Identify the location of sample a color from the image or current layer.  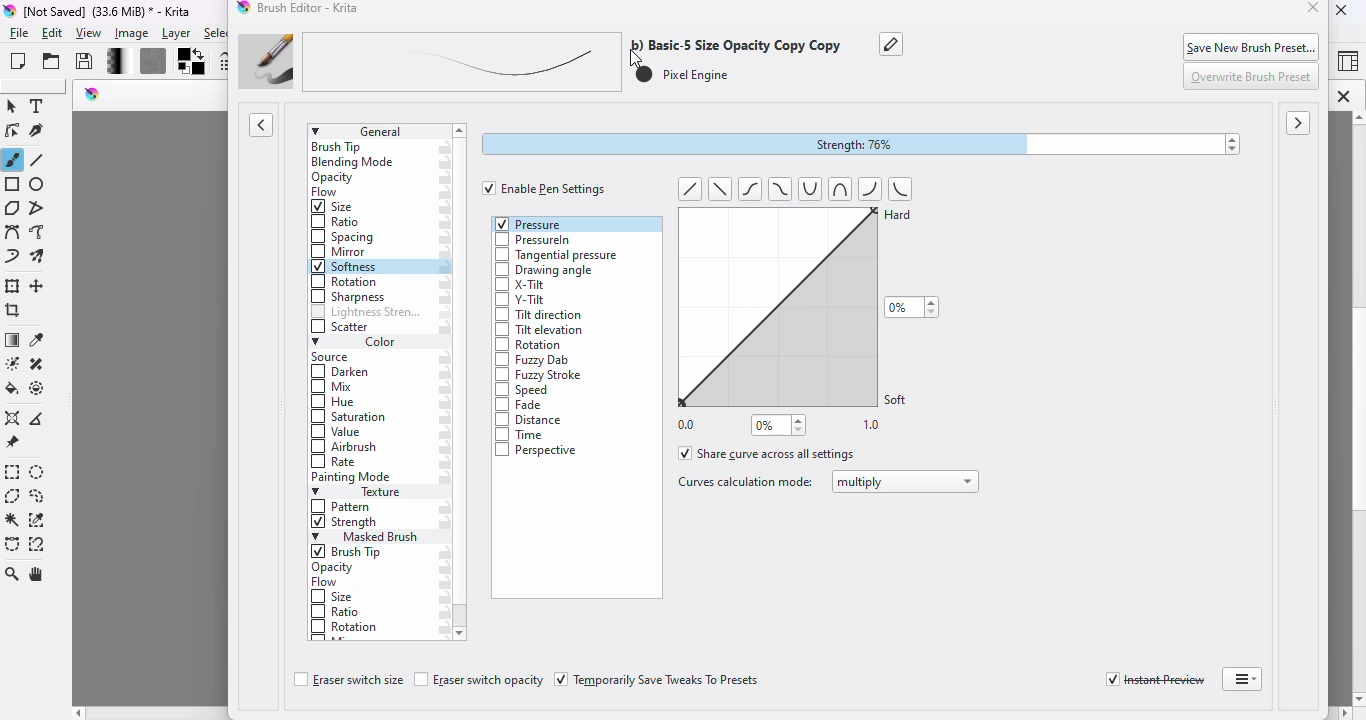
(37, 339).